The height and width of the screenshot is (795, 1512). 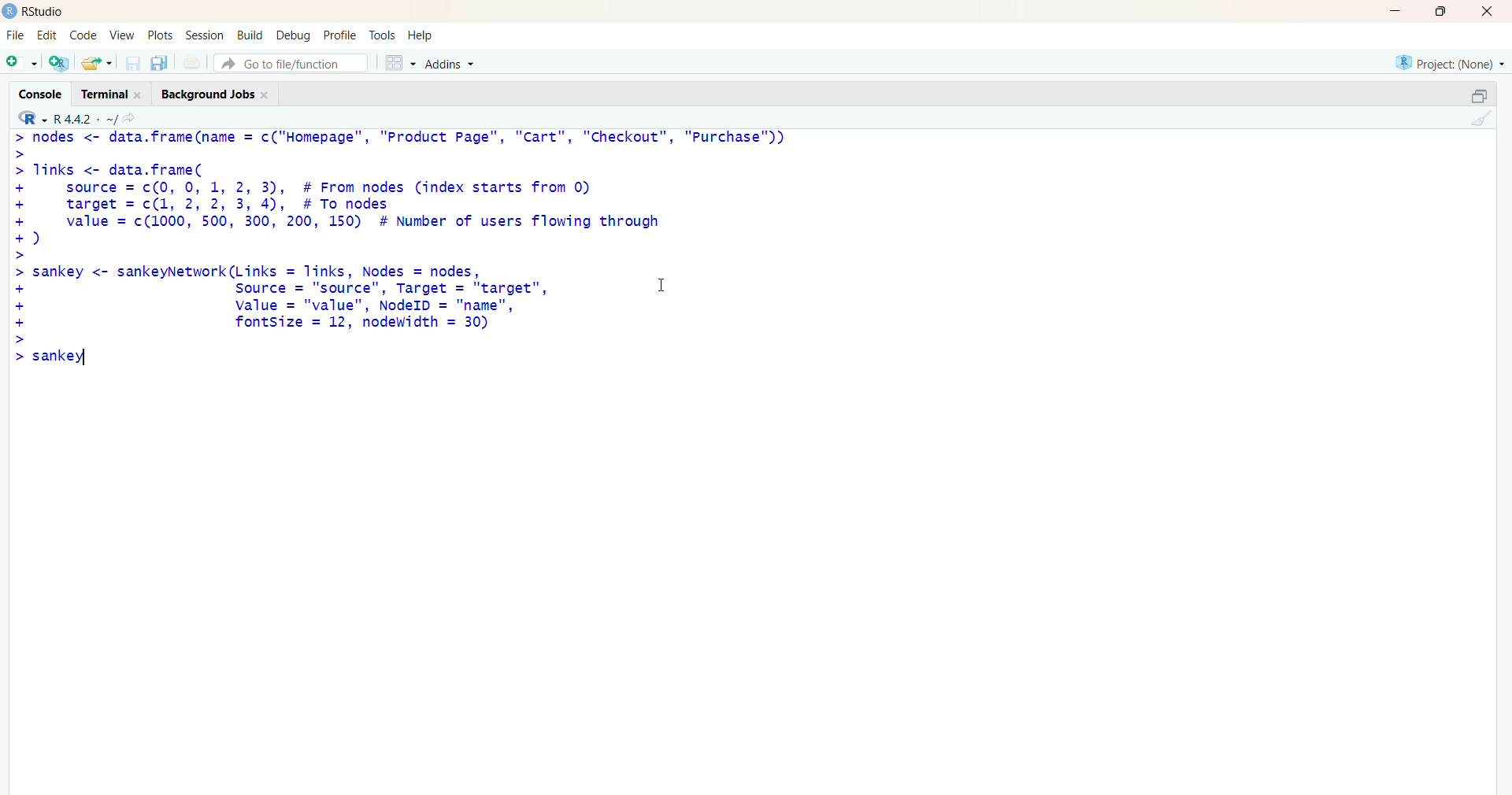 What do you see at coordinates (82, 34) in the screenshot?
I see `` at bounding box center [82, 34].